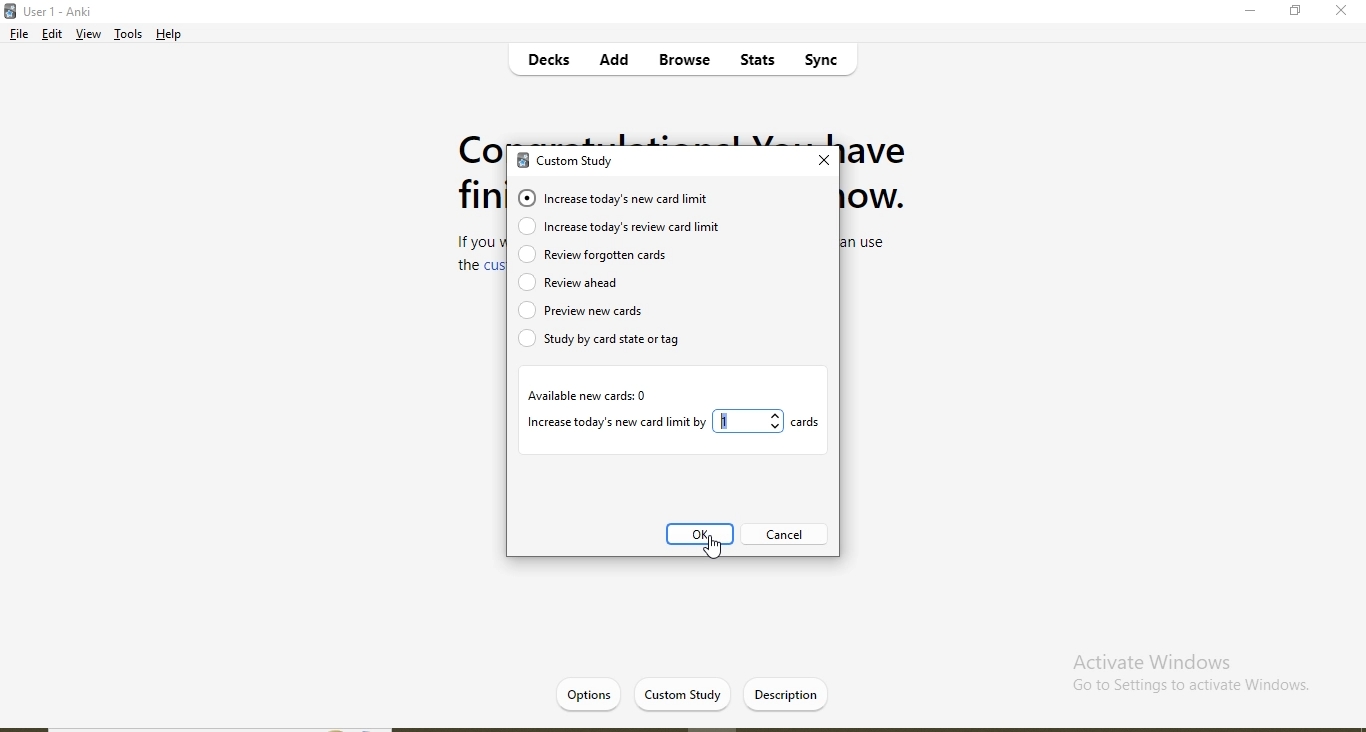  Describe the element at coordinates (643, 281) in the screenshot. I see `review ahead` at that location.